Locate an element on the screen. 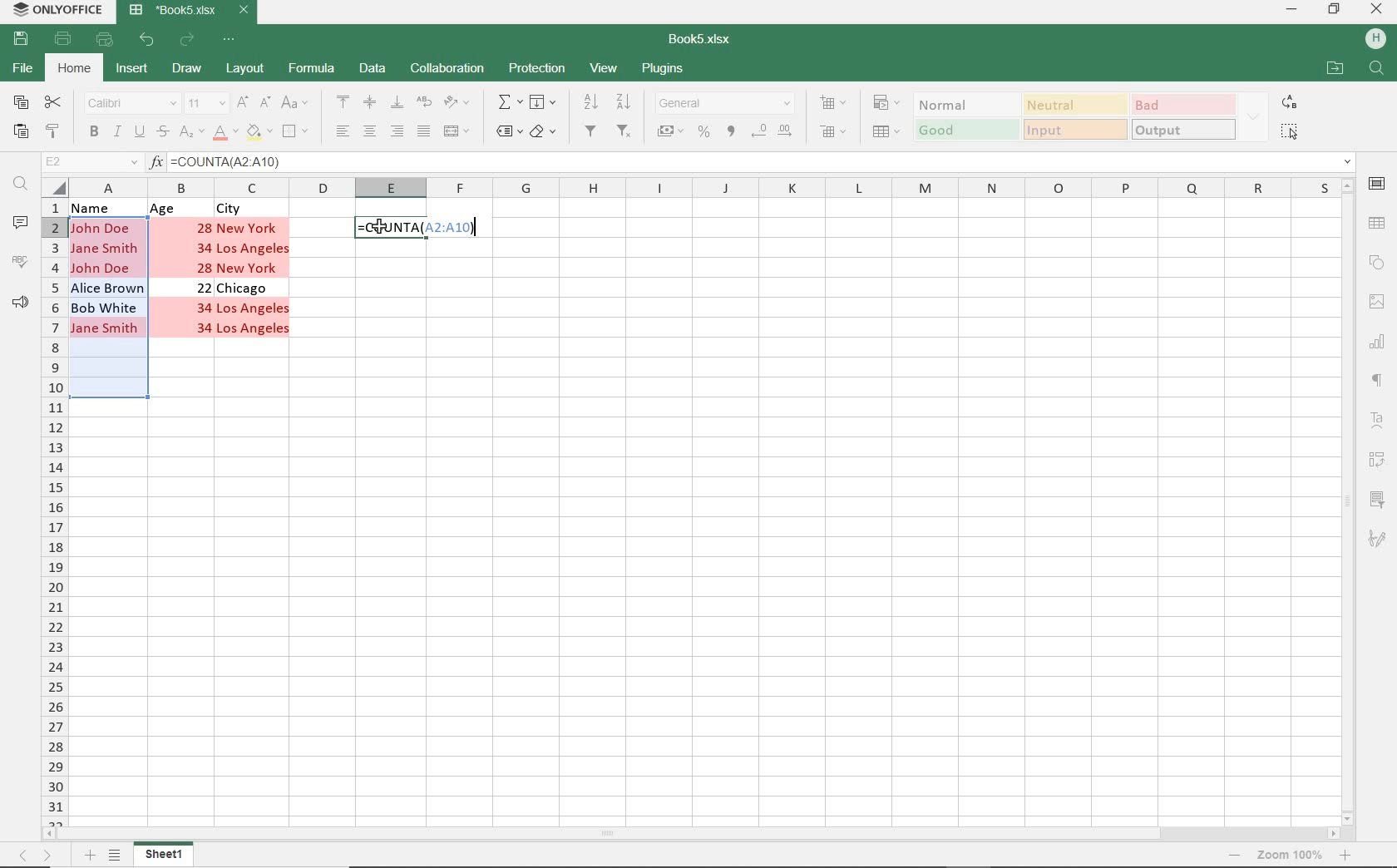  Los Angeles is located at coordinates (256, 329).